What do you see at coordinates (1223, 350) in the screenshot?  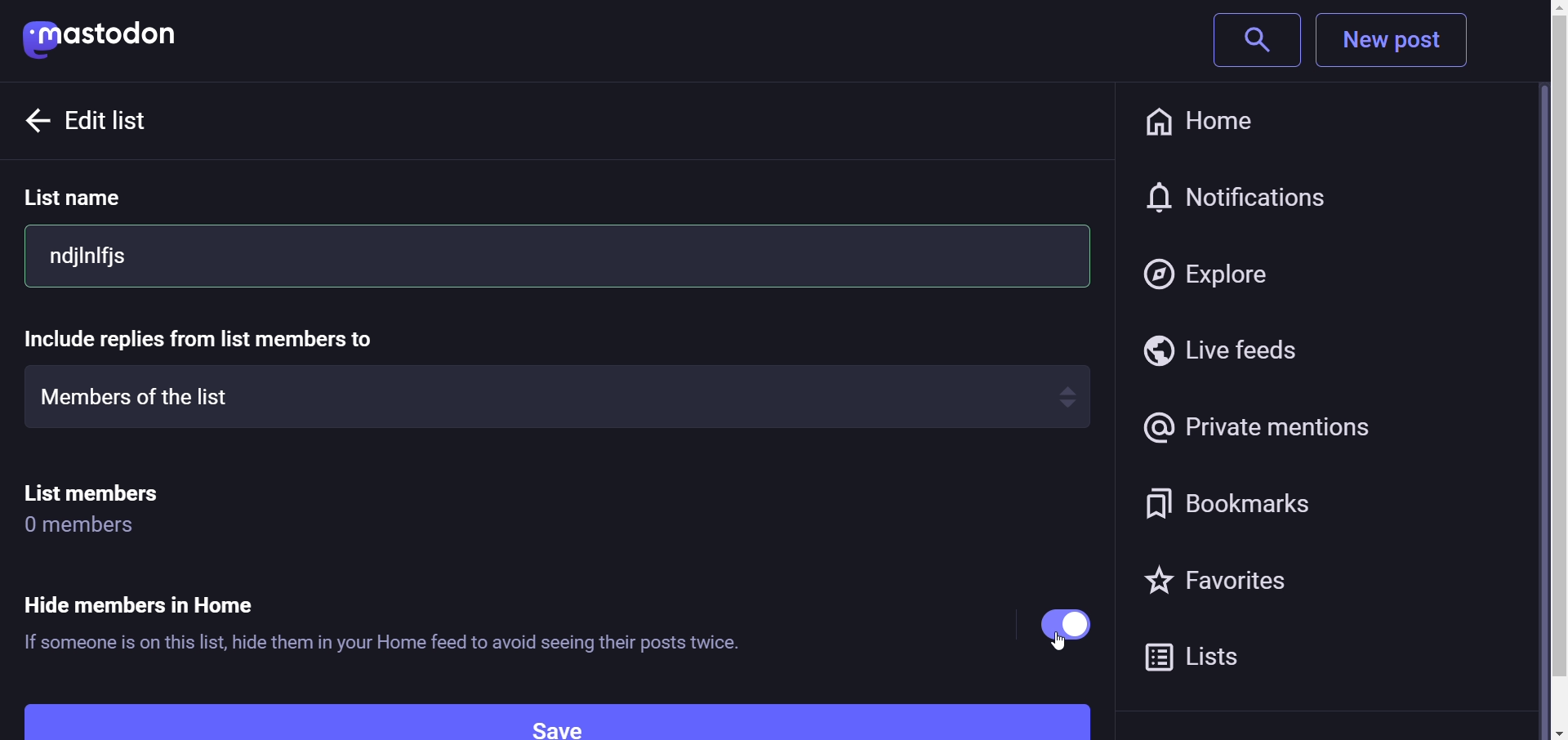 I see `live feeds` at bounding box center [1223, 350].